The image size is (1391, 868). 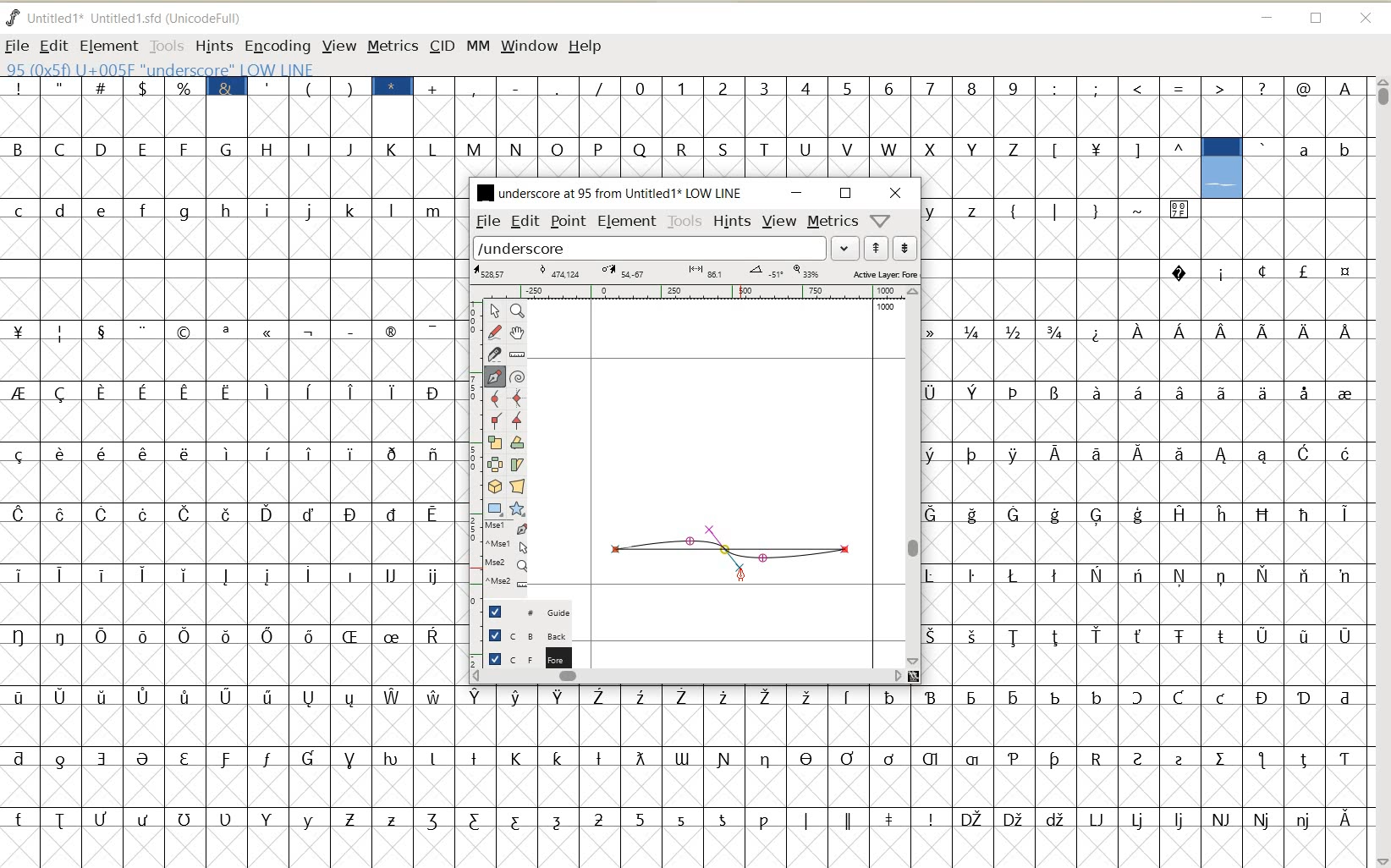 I want to click on GLYPHY CHARACTERS, so click(x=229, y=461).